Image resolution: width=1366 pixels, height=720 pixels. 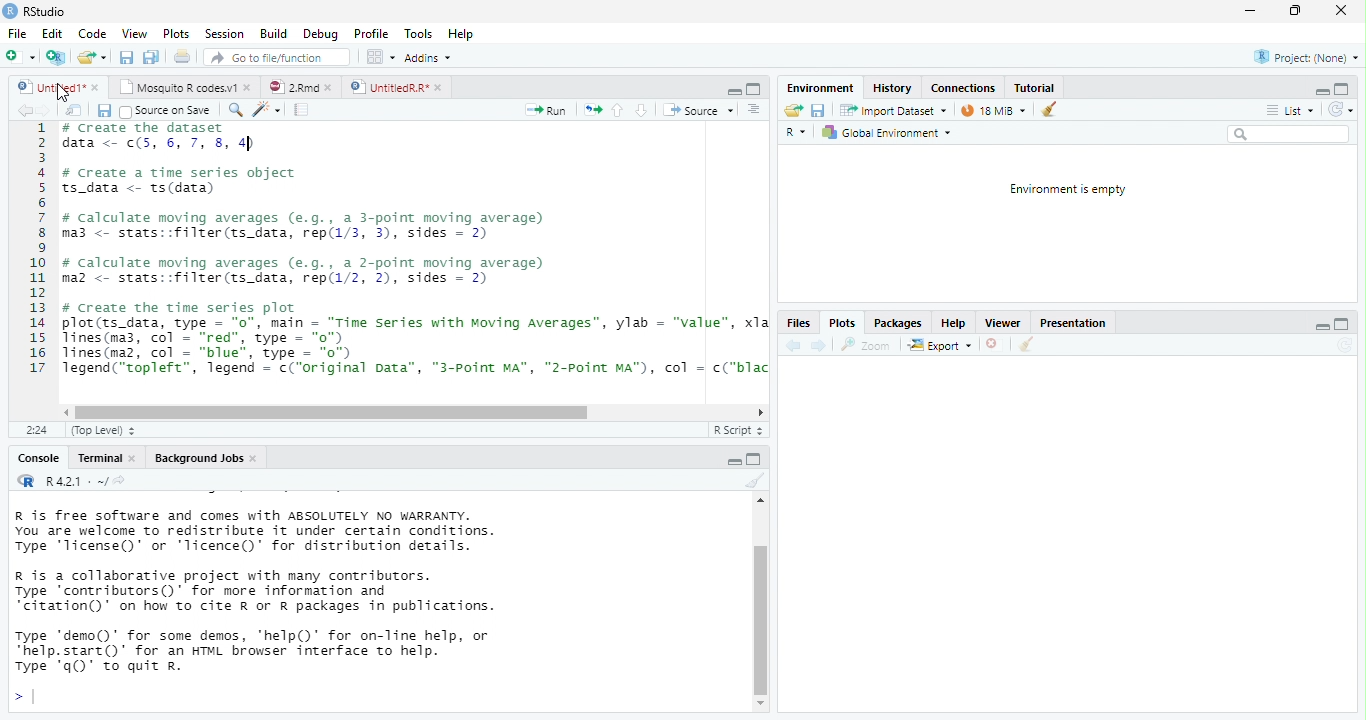 What do you see at coordinates (379, 57) in the screenshot?
I see `wrokspace pan` at bounding box center [379, 57].